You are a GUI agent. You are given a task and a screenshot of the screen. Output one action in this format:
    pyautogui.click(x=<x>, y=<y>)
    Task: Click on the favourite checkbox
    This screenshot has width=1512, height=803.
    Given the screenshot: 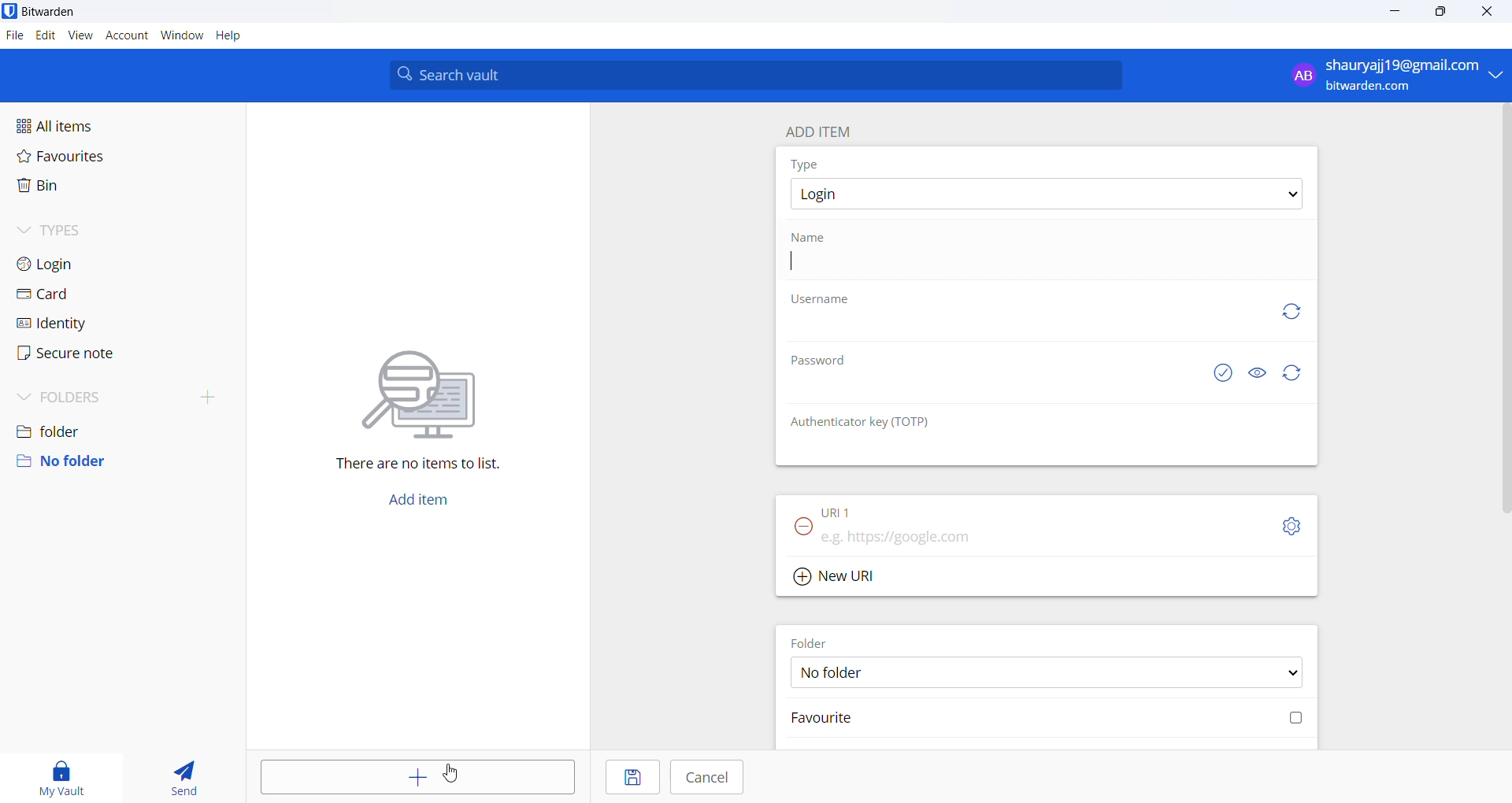 What is the action you would take?
    pyautogui.click(x=1050, y=718)
    